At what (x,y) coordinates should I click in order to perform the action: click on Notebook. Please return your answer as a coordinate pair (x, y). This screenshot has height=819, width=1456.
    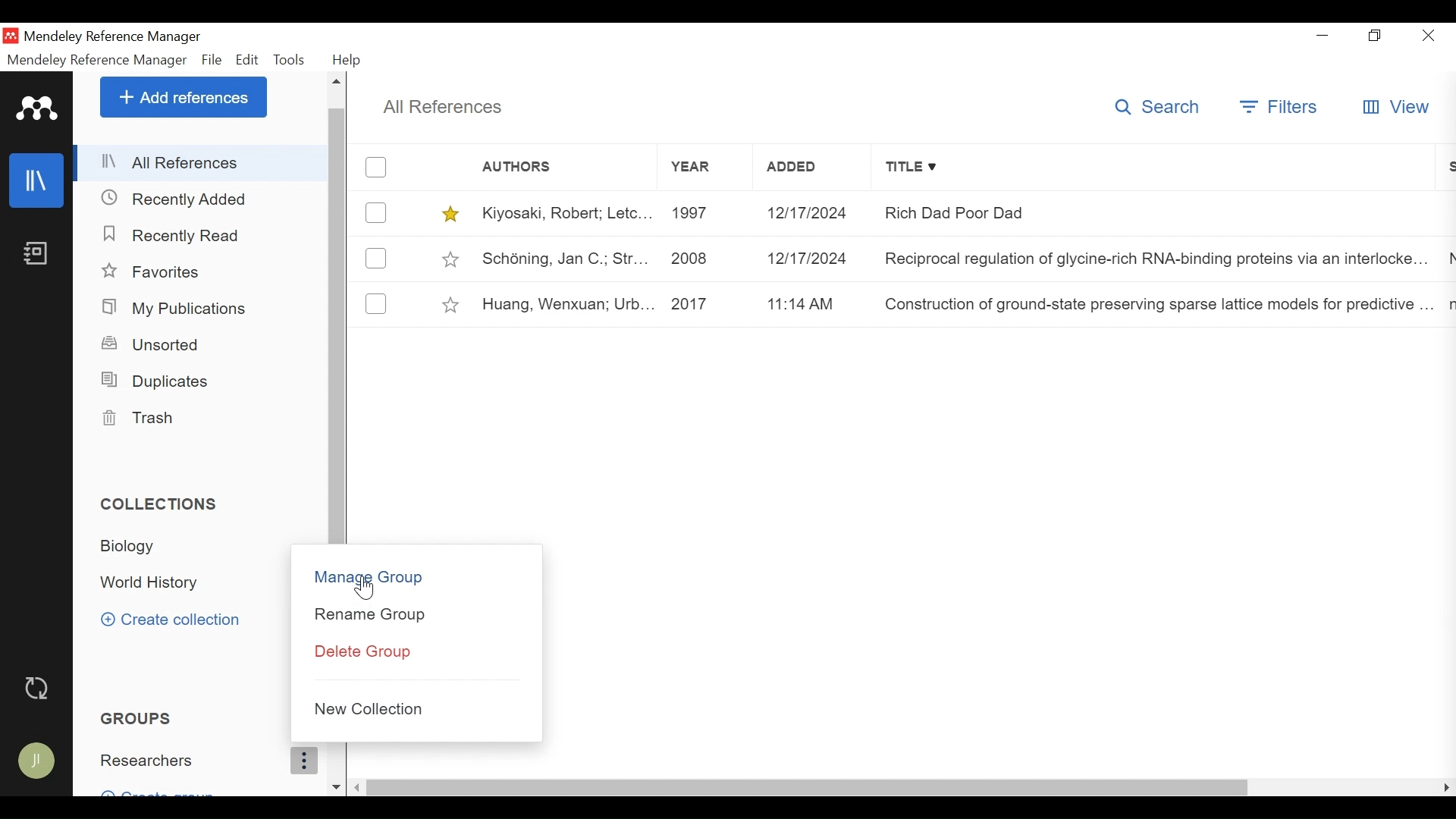
    Looking at the image, I should click on (37, 255).